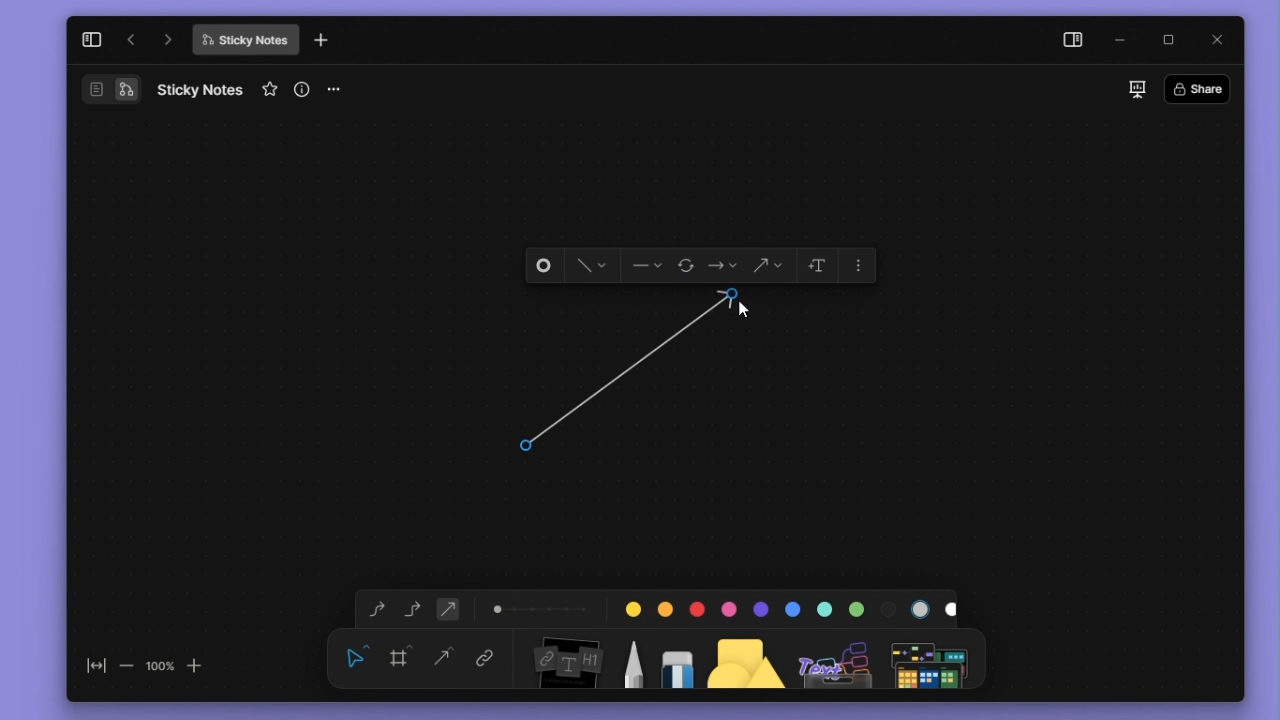 This screenshot has width=1280, height=720. What do you see at coordinates (356, 656) in the screenshot?
I see `select` at bounding box center [356, 656].